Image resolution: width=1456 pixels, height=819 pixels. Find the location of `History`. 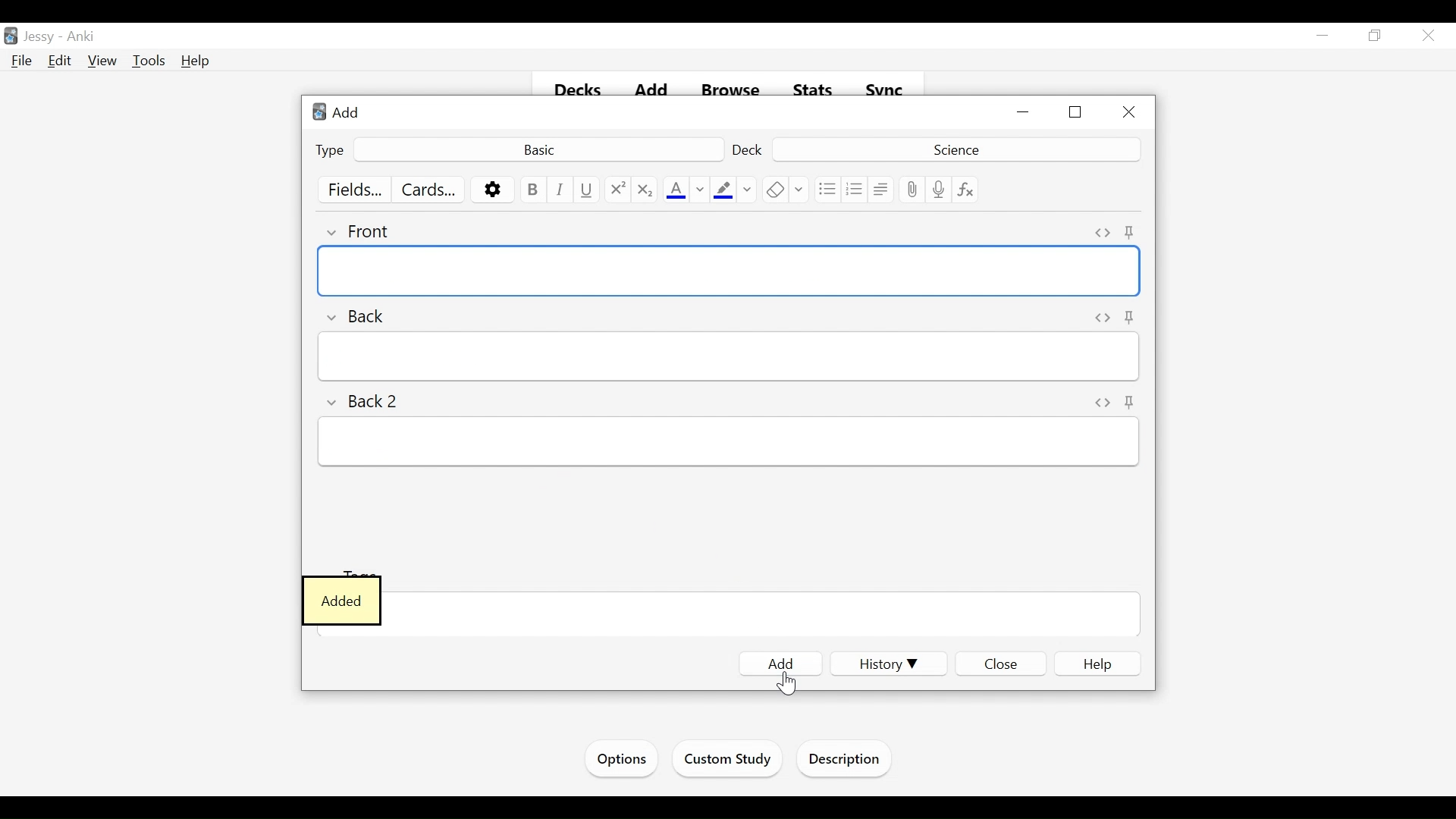

History is located at coordinates (884, 664).